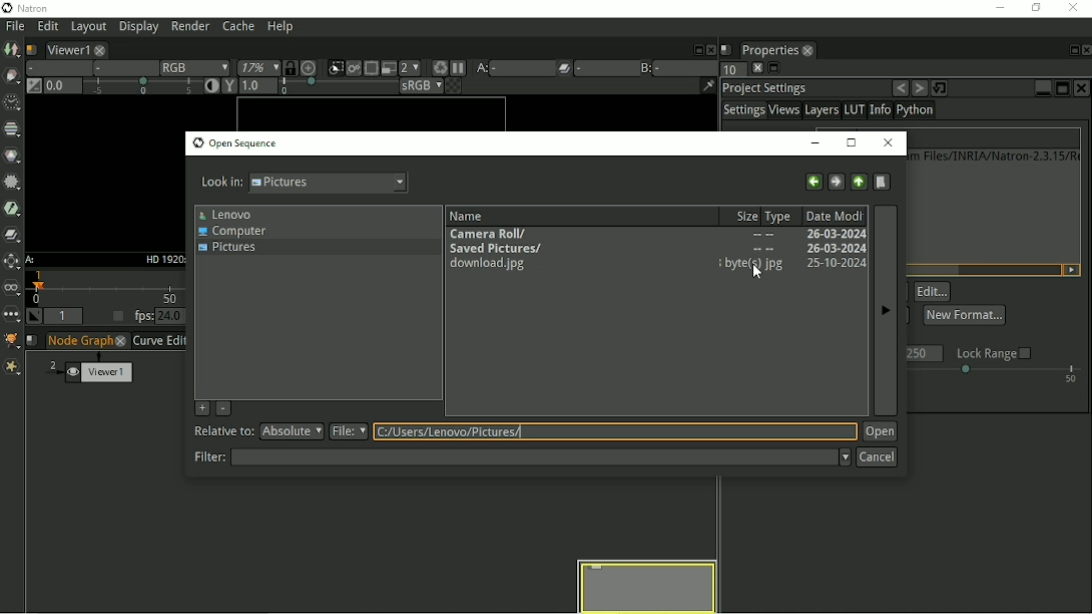 The image size is (1092, 614). What do you see at coordinates (1083, 88) in the screenshot?
I see `Close` at bounding box center [1083, 88].